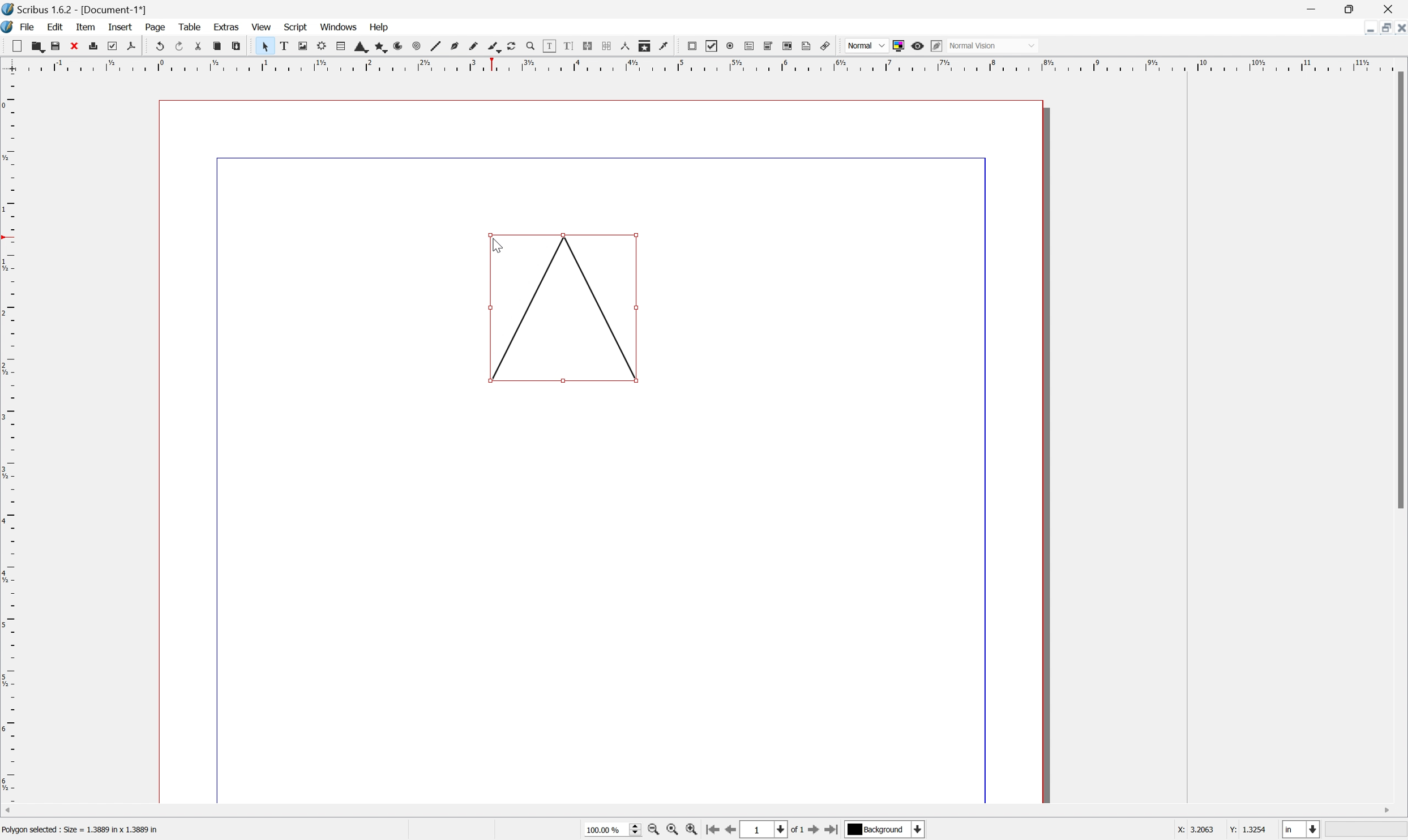 The image size is (1408, 840). I want to click on Windows, so click(338, 25).